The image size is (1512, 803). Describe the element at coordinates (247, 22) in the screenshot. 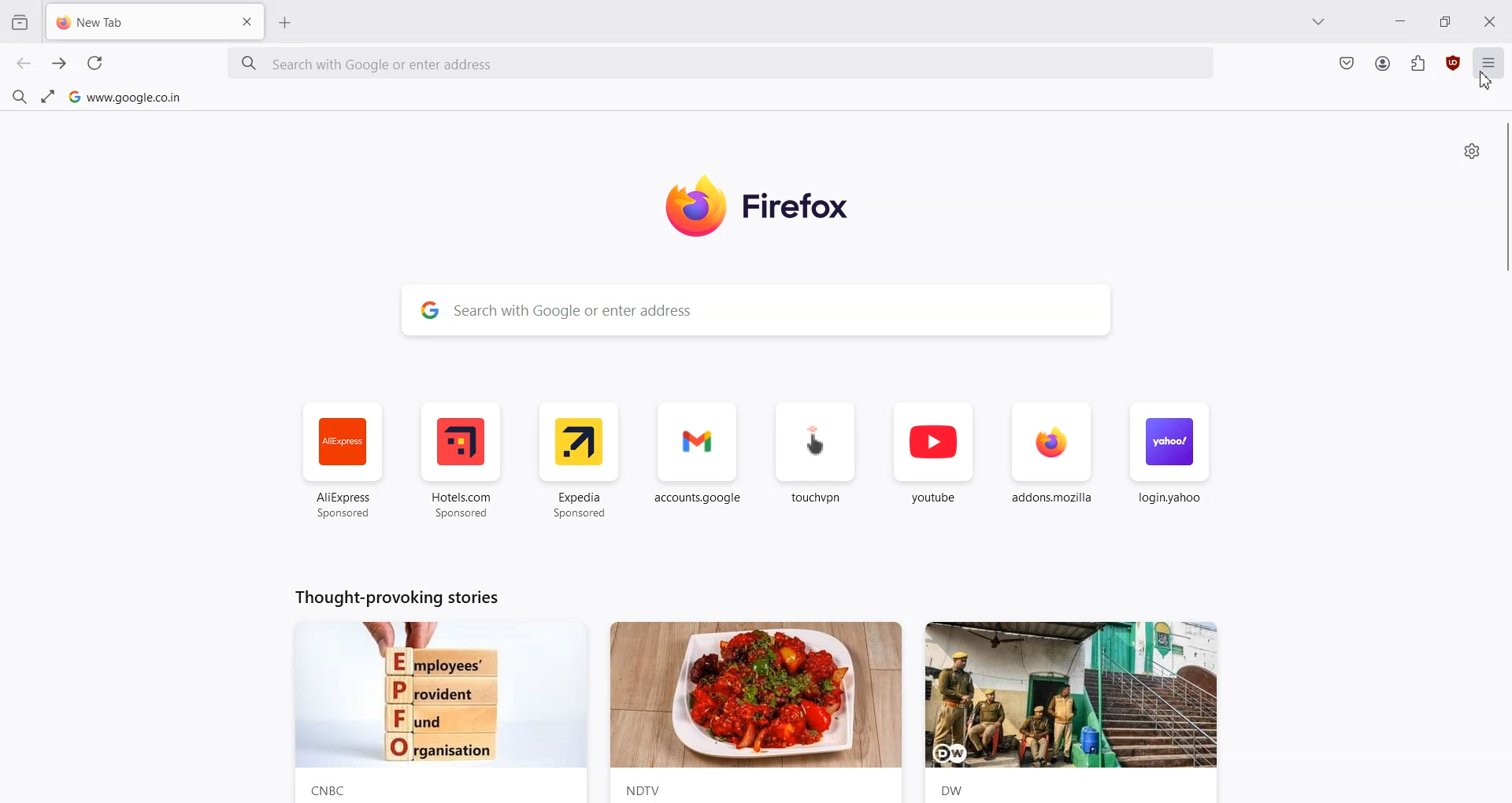

I see `Close Tab` at that location.